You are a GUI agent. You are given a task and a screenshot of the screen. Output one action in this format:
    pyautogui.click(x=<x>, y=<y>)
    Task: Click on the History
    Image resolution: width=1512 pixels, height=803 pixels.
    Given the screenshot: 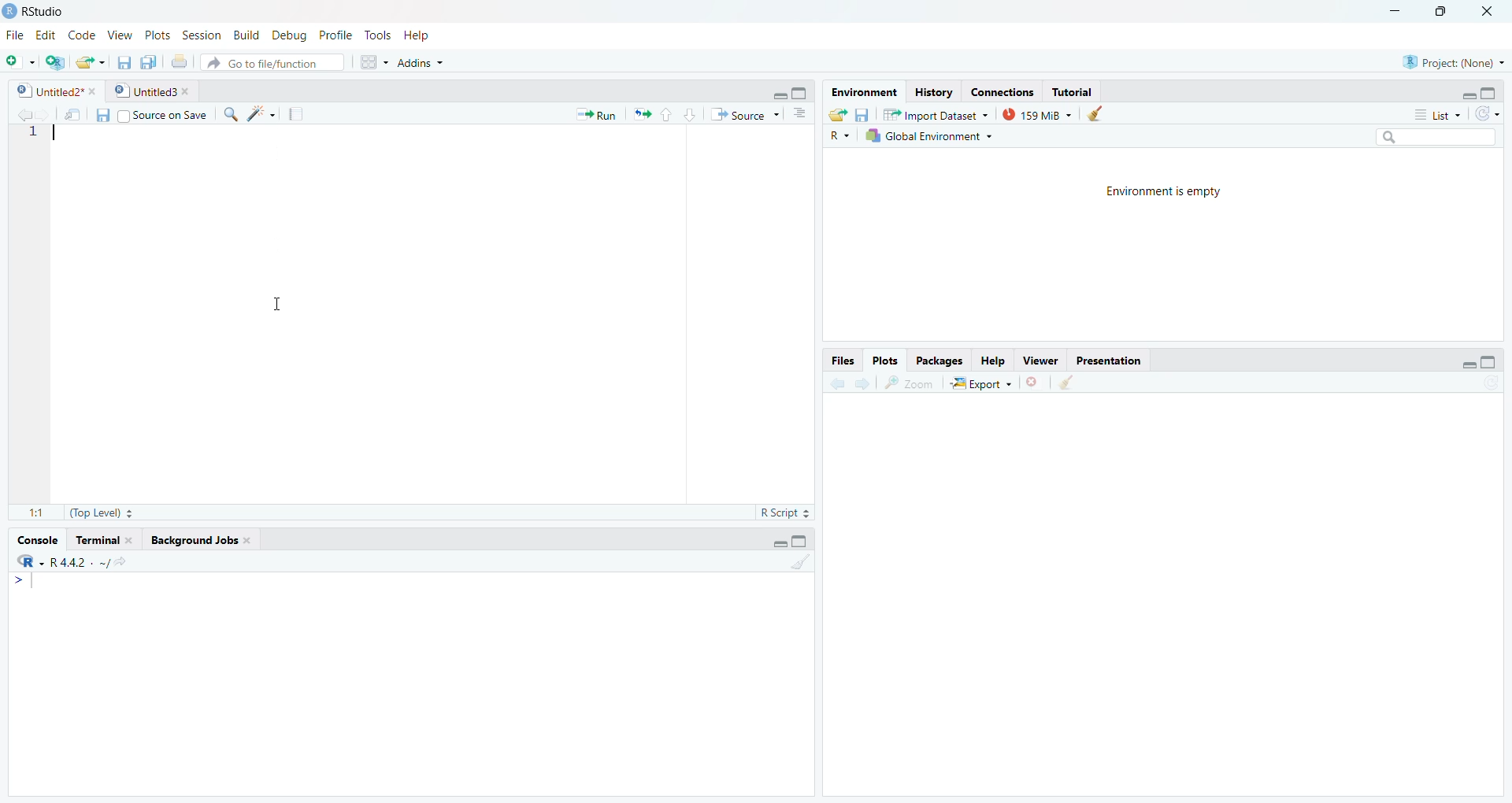 What is the action you would take?
    pyautogui.click(x=935, y=92)
    